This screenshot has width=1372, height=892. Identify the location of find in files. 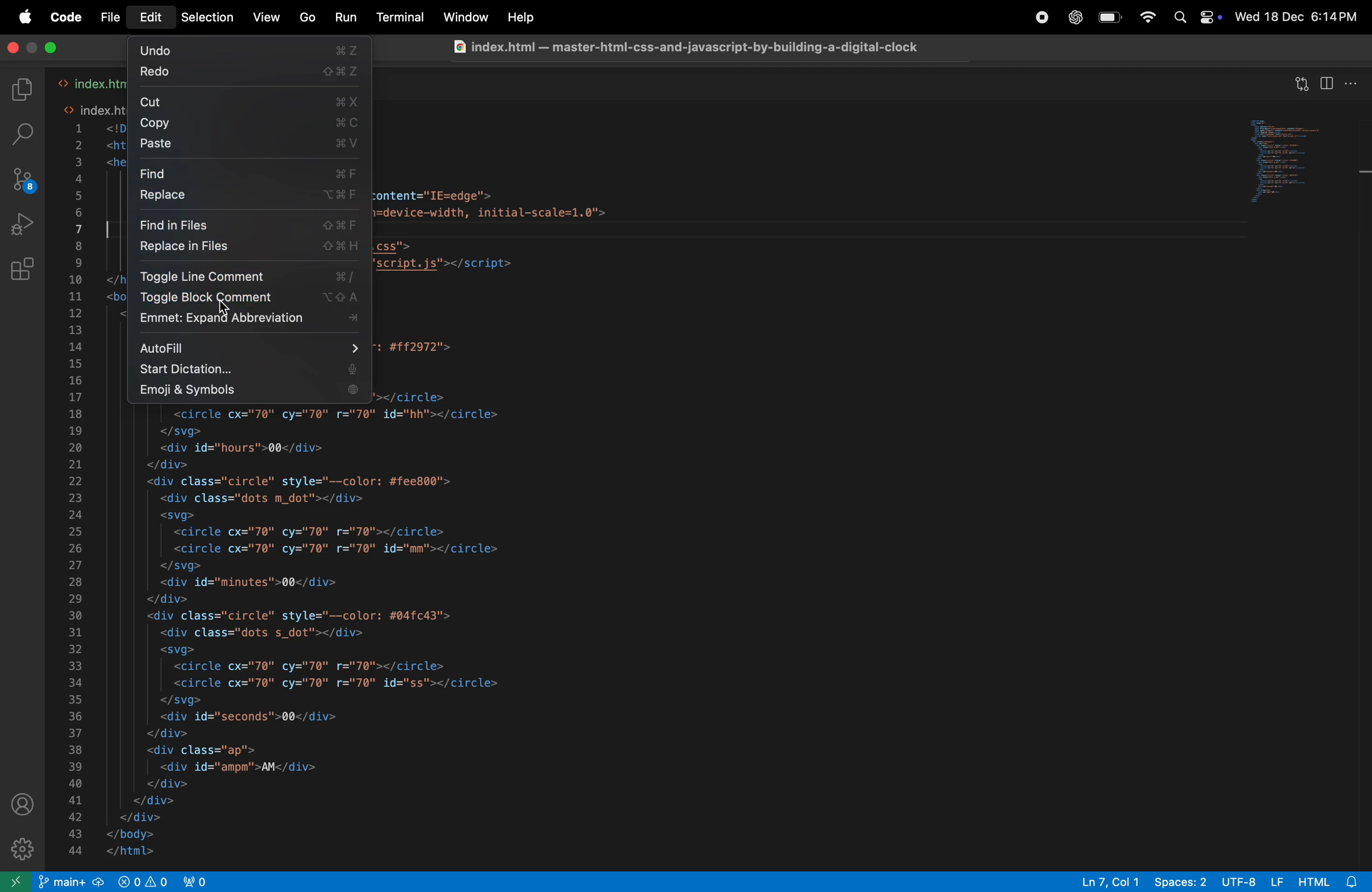
(250, 224).